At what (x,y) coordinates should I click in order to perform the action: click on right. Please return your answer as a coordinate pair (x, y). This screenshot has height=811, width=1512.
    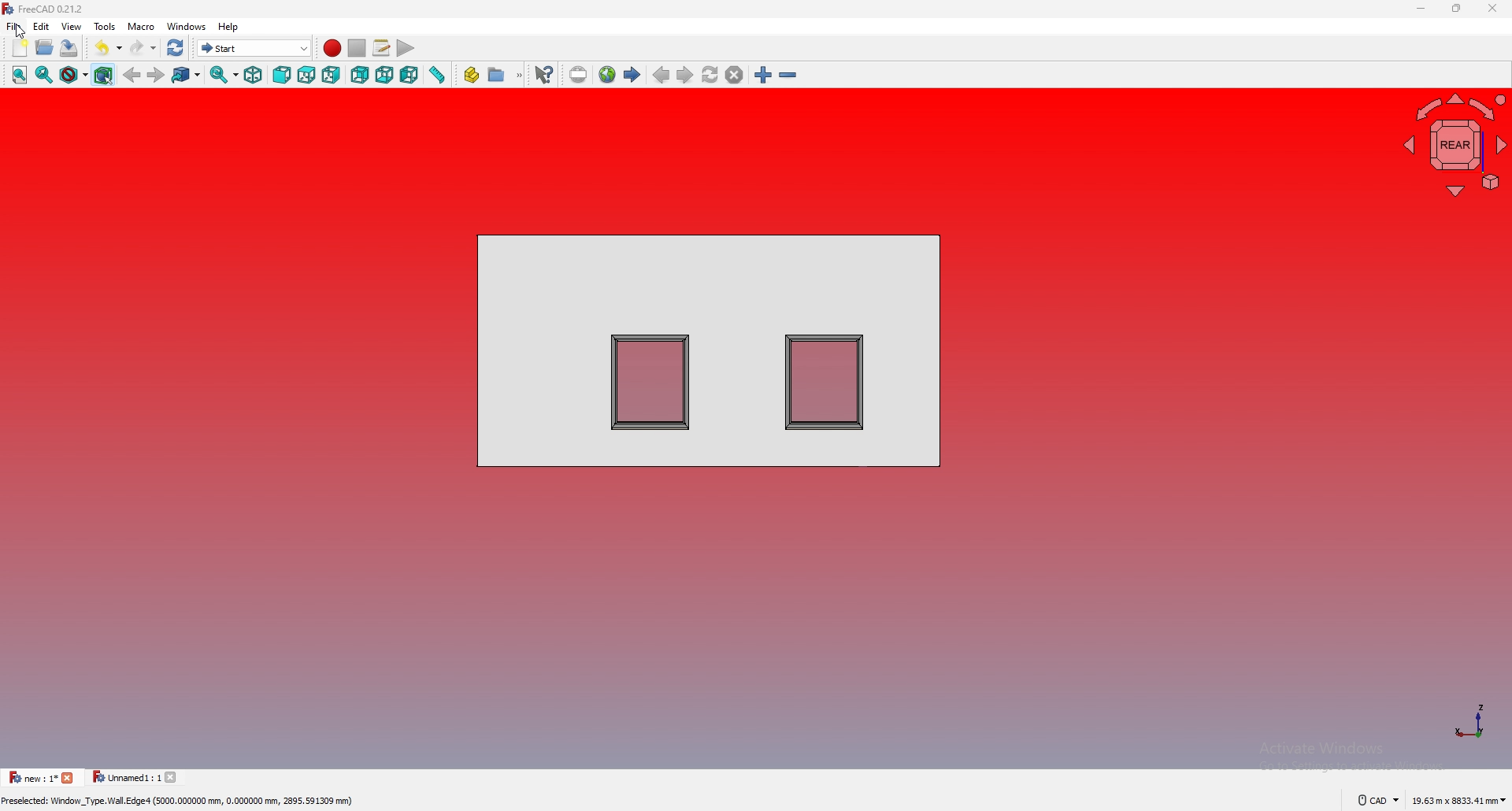
    Looking at the image, I should click on (332, 75).